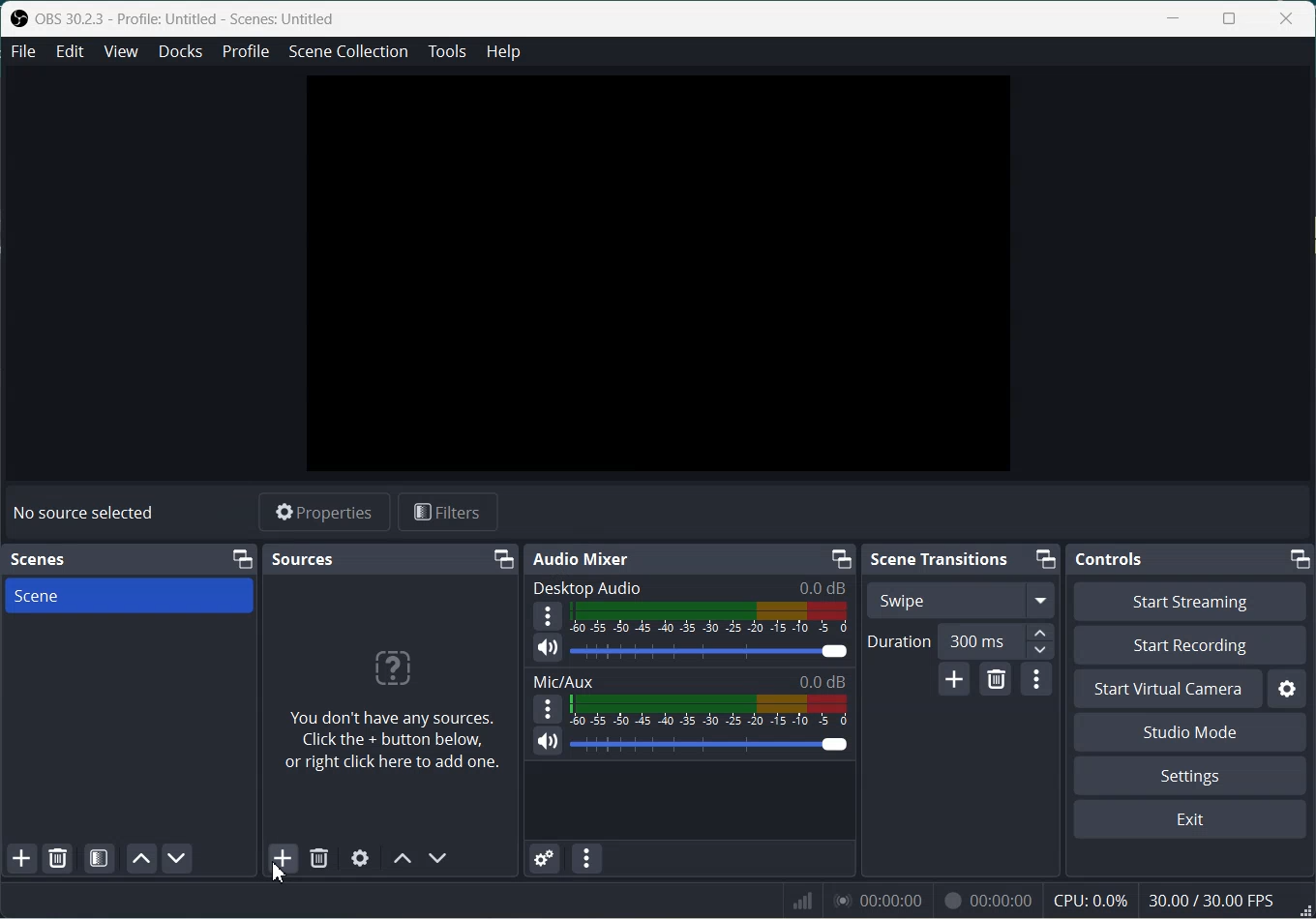  What do you see at coordinates (128, 598) in the screenshot?
I see `Scene` at bounding box center [128, 598].